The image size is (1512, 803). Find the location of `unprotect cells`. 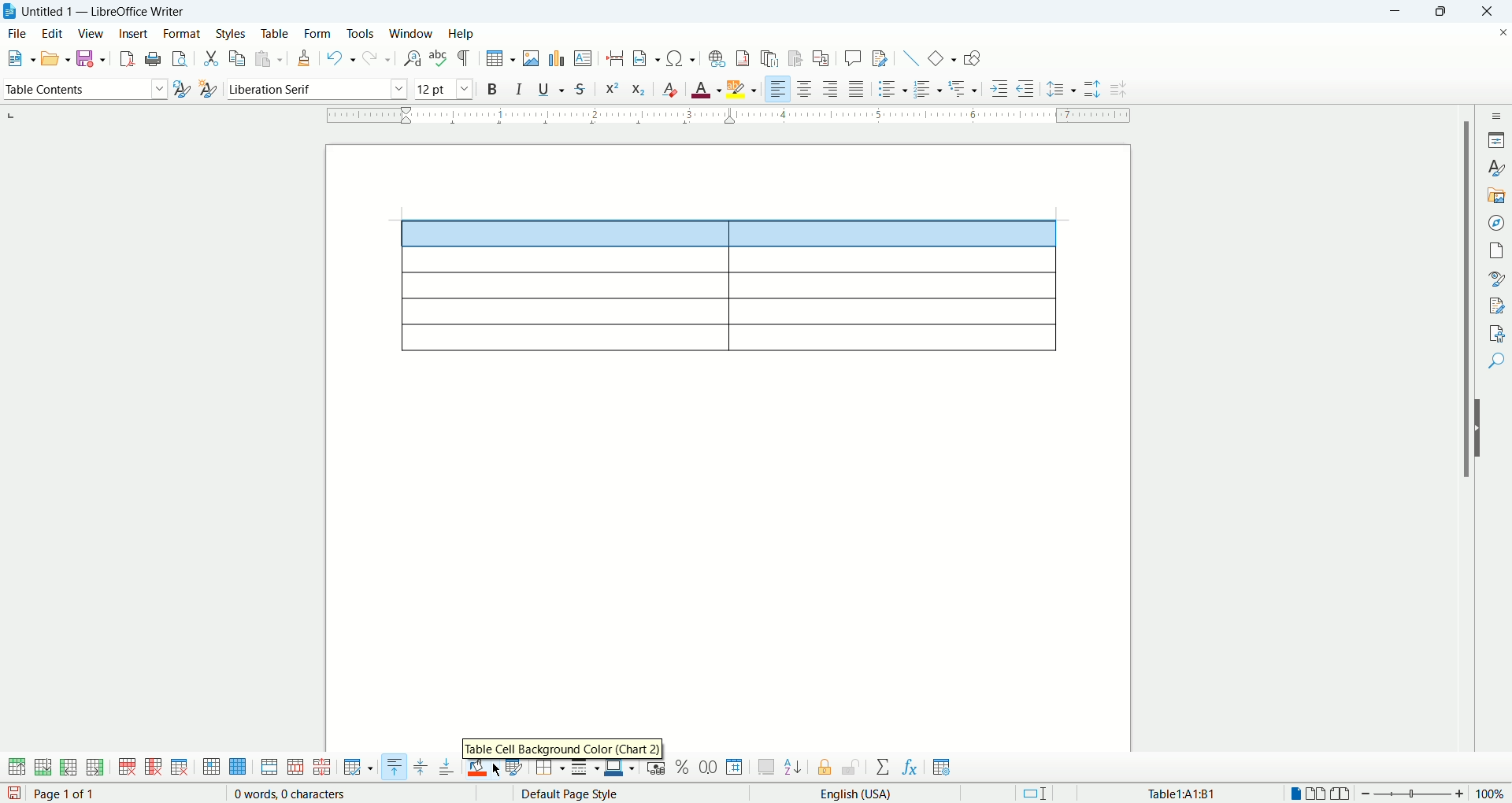

unprotect cells is located at coordinates (850, 768).